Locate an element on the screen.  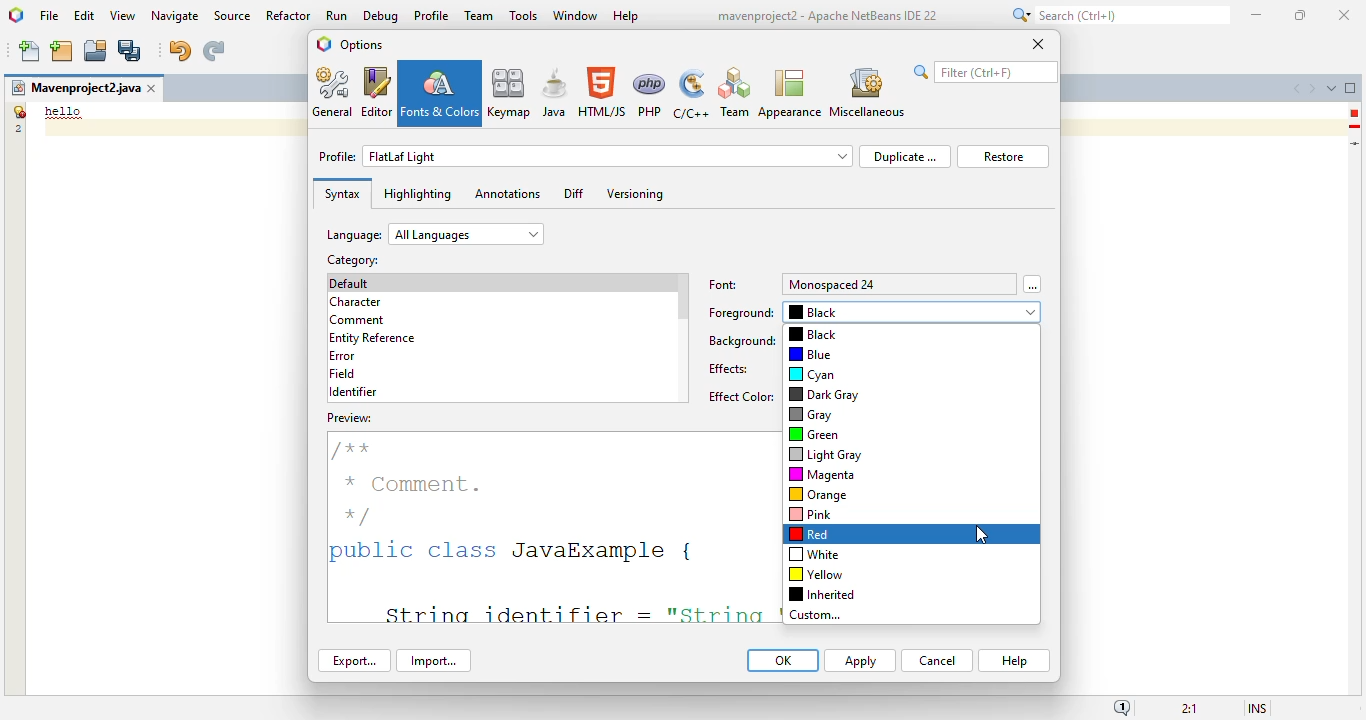
HTML/JS is located at coordinates (603, 92).